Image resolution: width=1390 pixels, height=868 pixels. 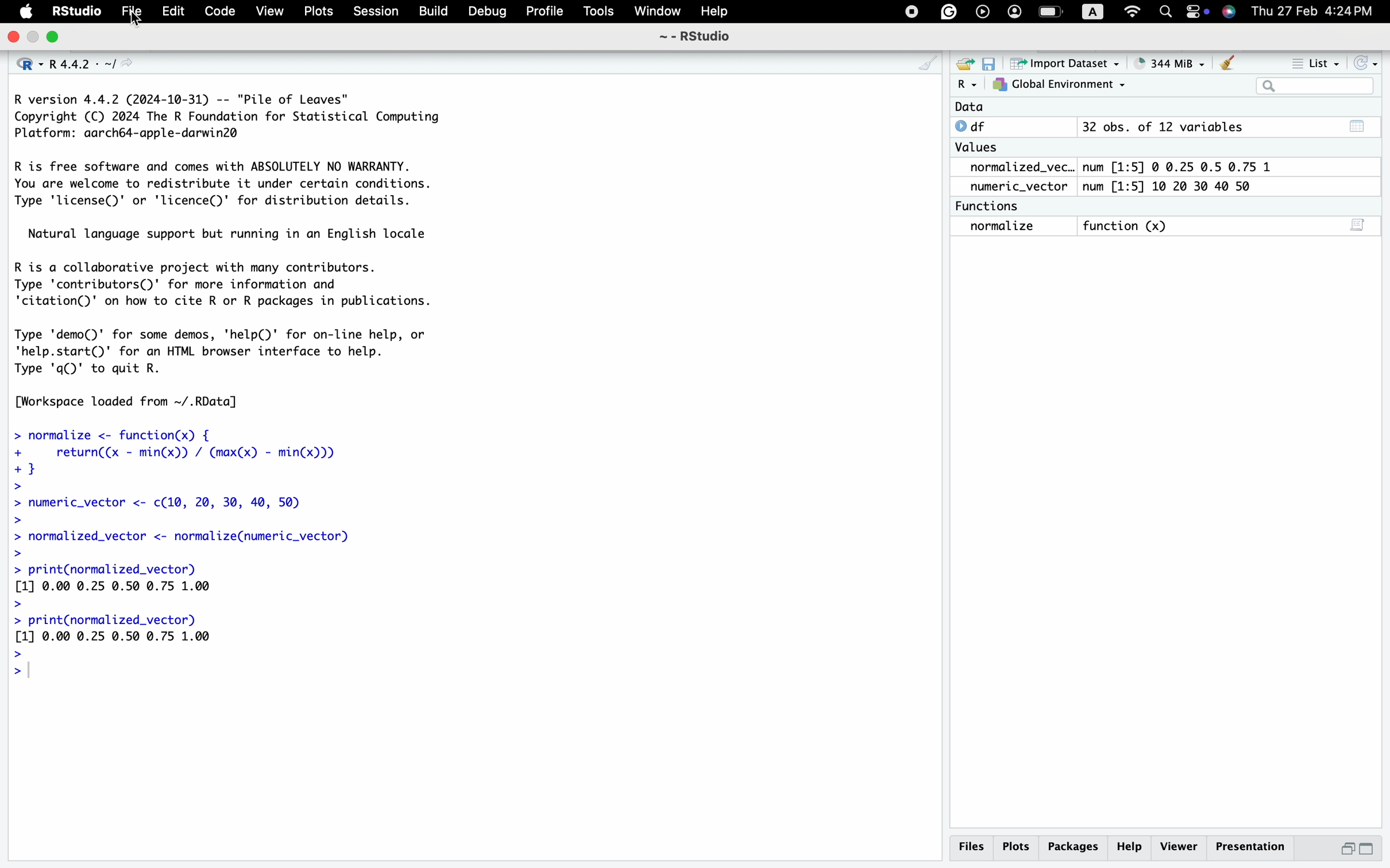 What do you see at coordinates (991, 65) in the screenshot?
I see `save` at bounding box center [991, 65].